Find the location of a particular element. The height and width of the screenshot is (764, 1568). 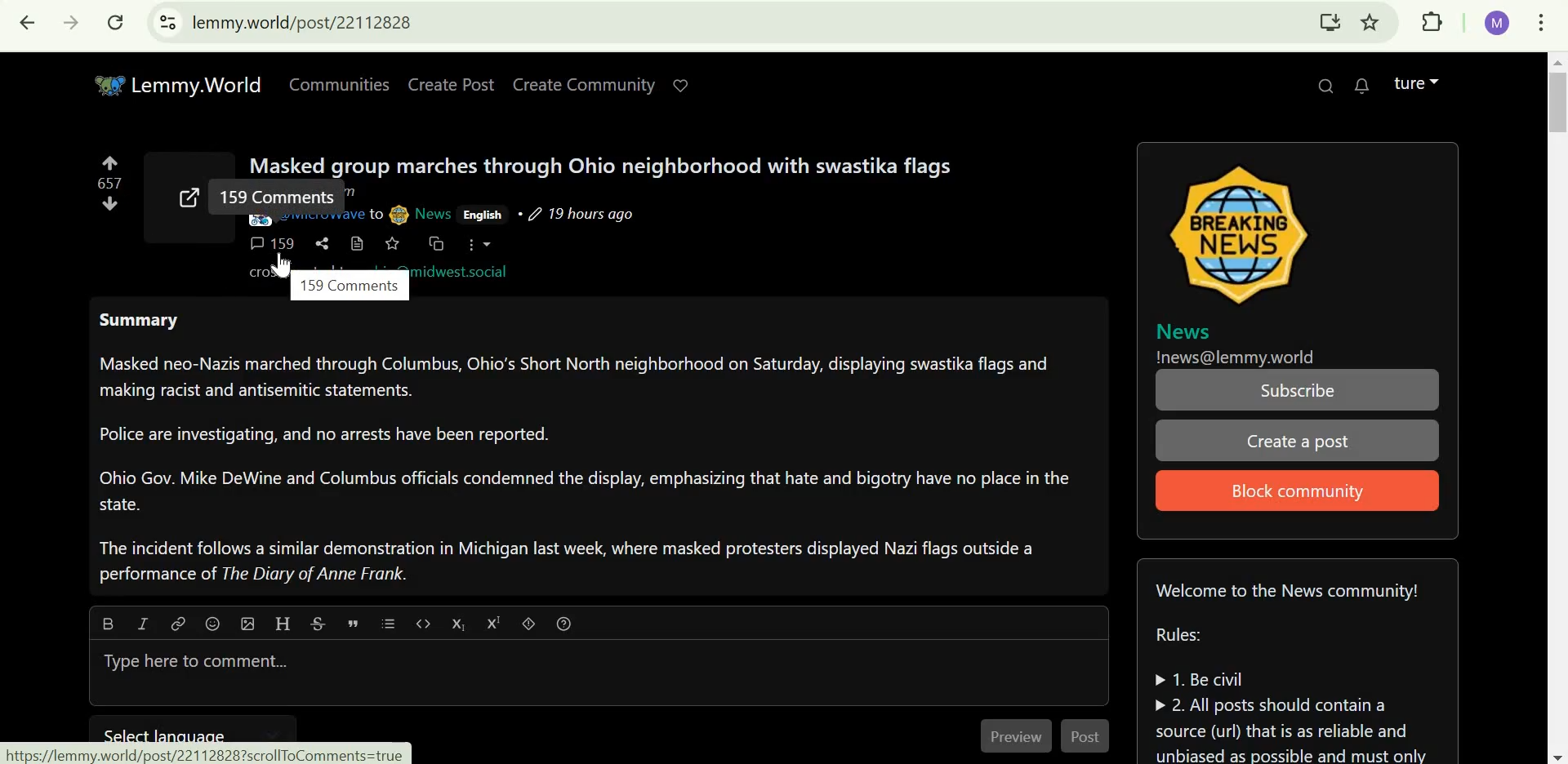

lemmy.world/post/22112828 is located at coordinates (327, 24).